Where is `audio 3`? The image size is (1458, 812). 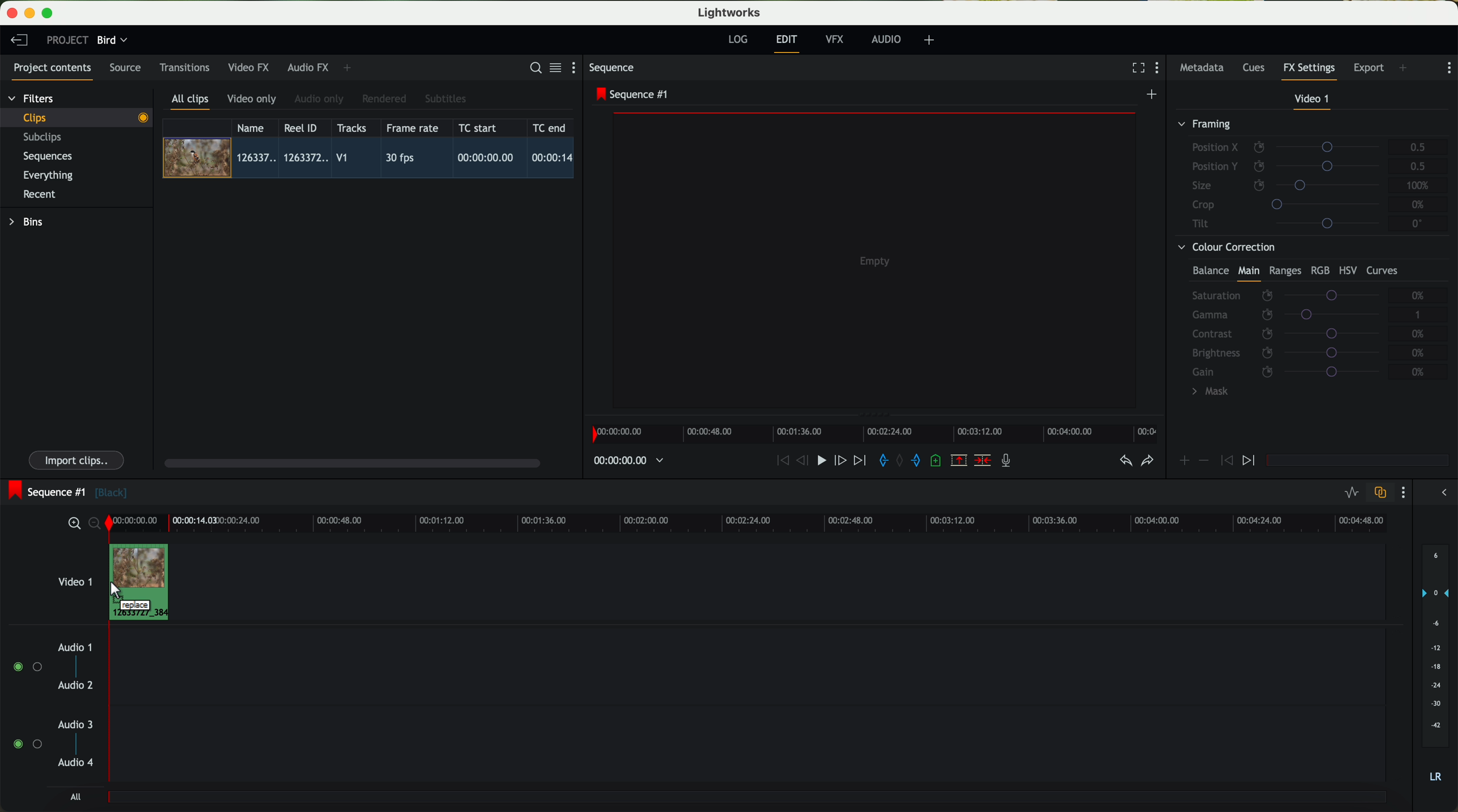 audio 3 is located at coordinates (70, 724).